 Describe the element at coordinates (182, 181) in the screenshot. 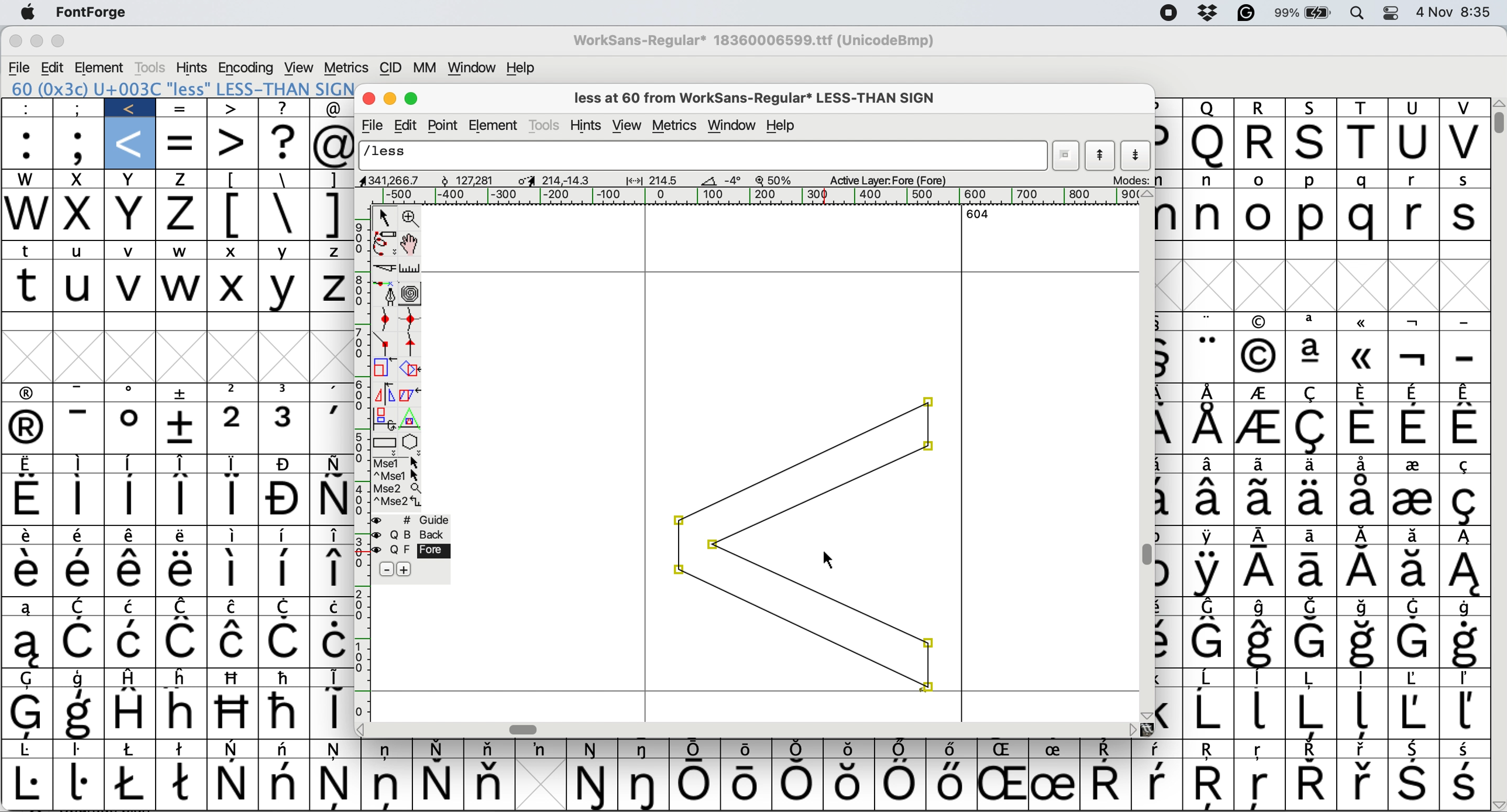

I see `z` at that location.